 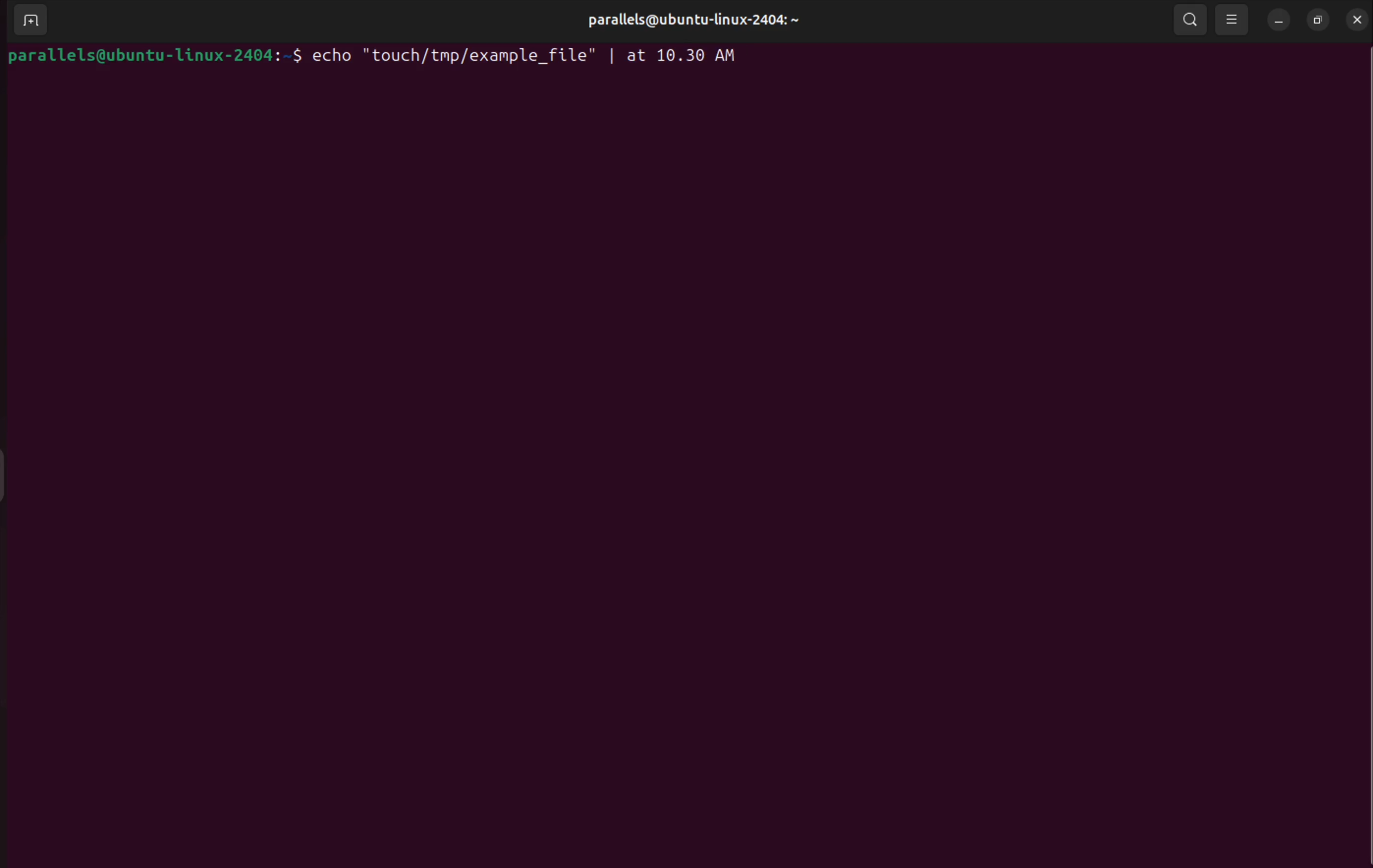 What do you see at coordinates (1234, 21) in the screenshot?
I see `view options` at bounding box center [1234, 21].